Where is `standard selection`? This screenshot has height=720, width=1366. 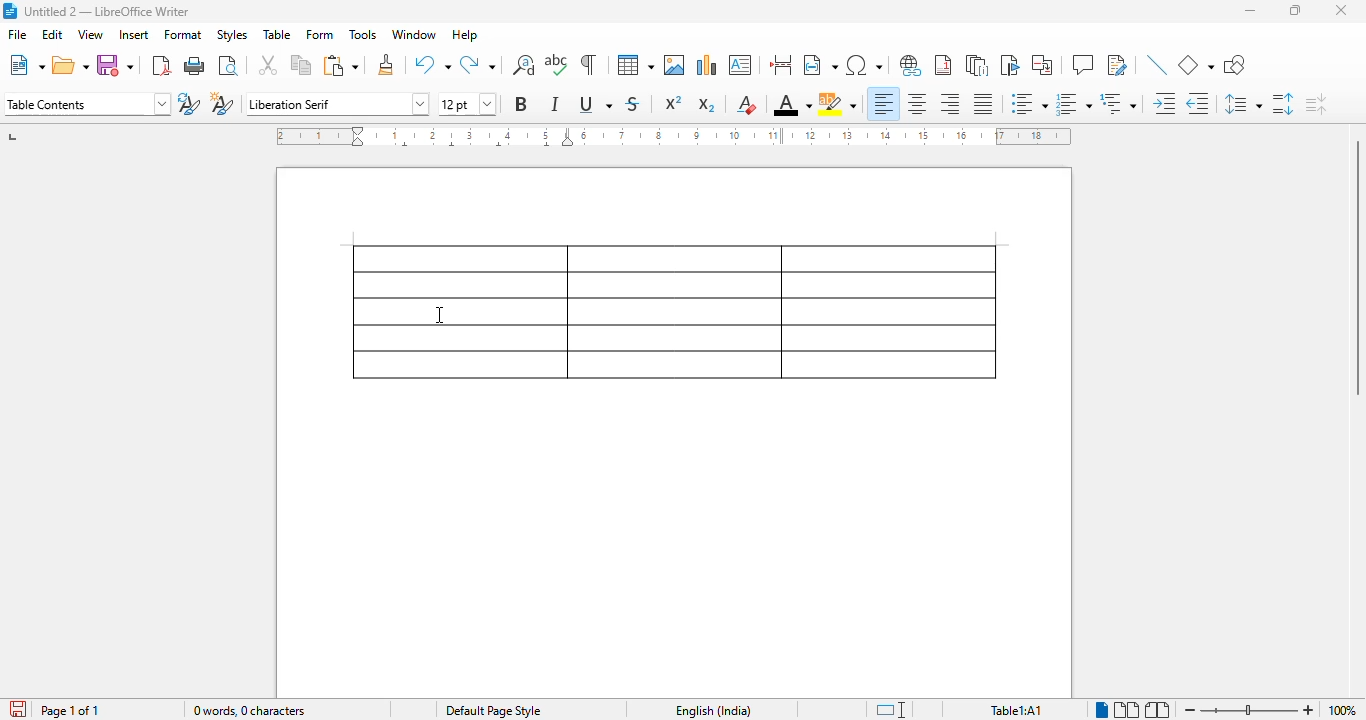
standard selection is located at coordinates (891, 710).